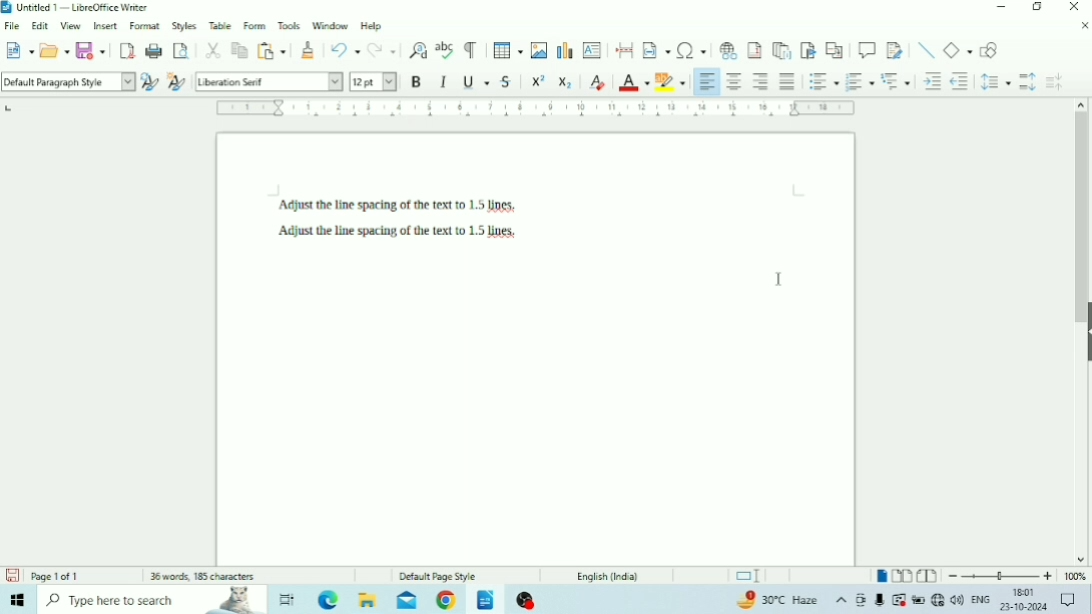 The width and height of the screenshot is (1092, 614). Describe the element at coordinates (72, 27) in the screenshot. I see `View` at that location.